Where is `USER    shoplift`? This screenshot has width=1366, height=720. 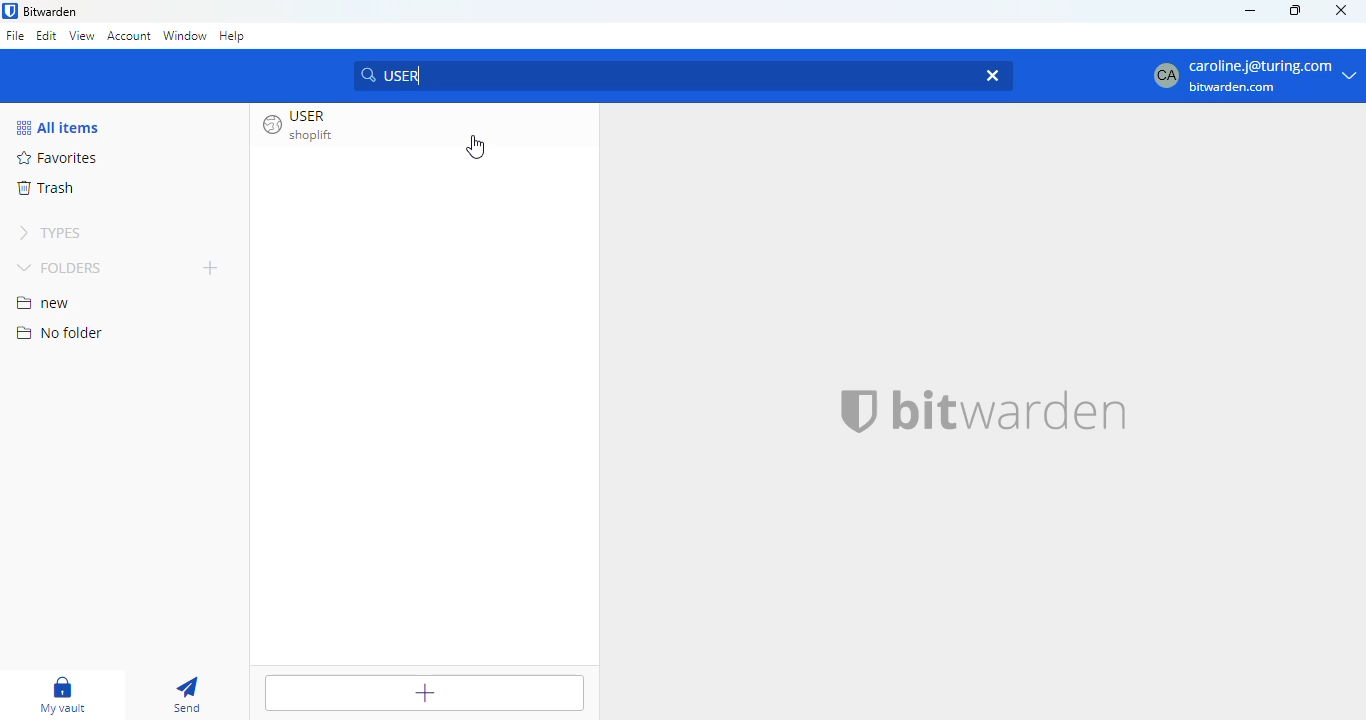 USER    shoplift is located at coordinates (304, 125).